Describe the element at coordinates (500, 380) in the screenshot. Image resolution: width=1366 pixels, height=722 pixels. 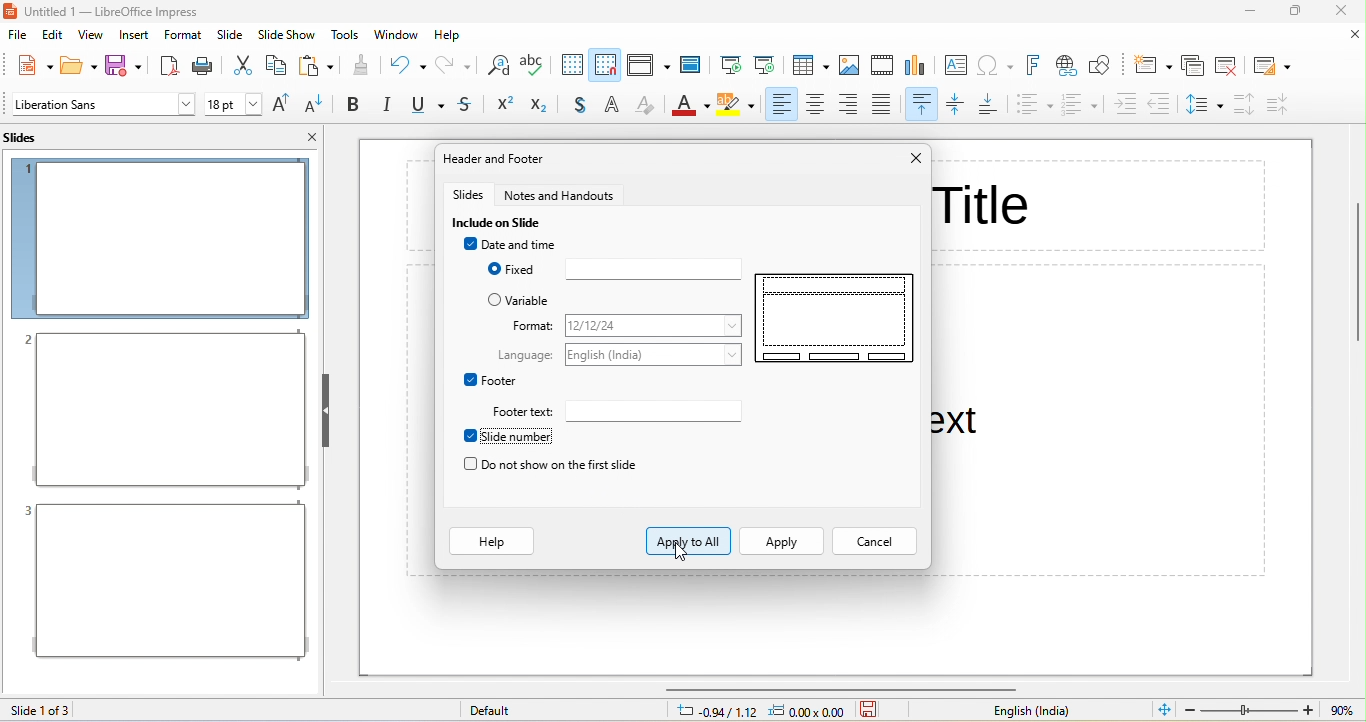
I see `footer` at that location.